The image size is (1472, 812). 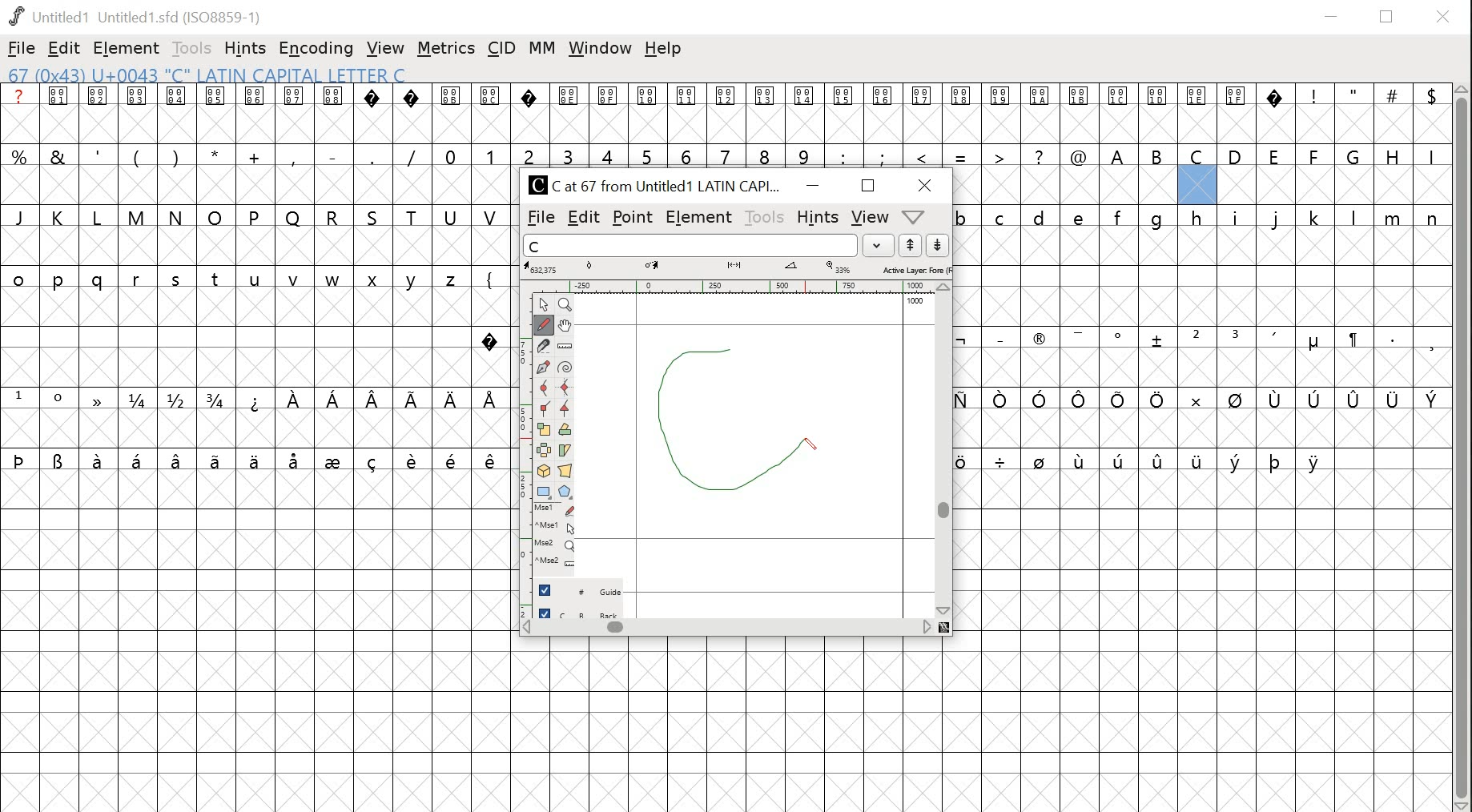 I want to click on point, so click(x=546, y=303).